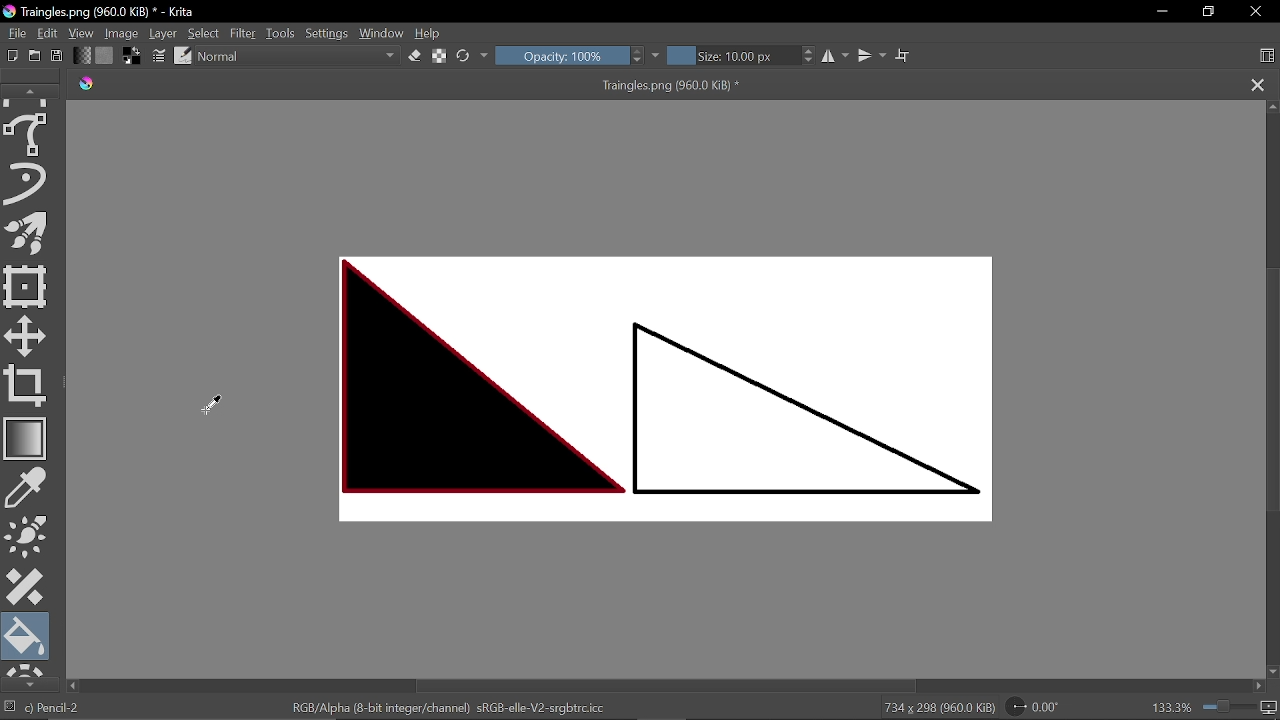  I want to click on Triangles.png (960.0 KiB), so click(678, 87).